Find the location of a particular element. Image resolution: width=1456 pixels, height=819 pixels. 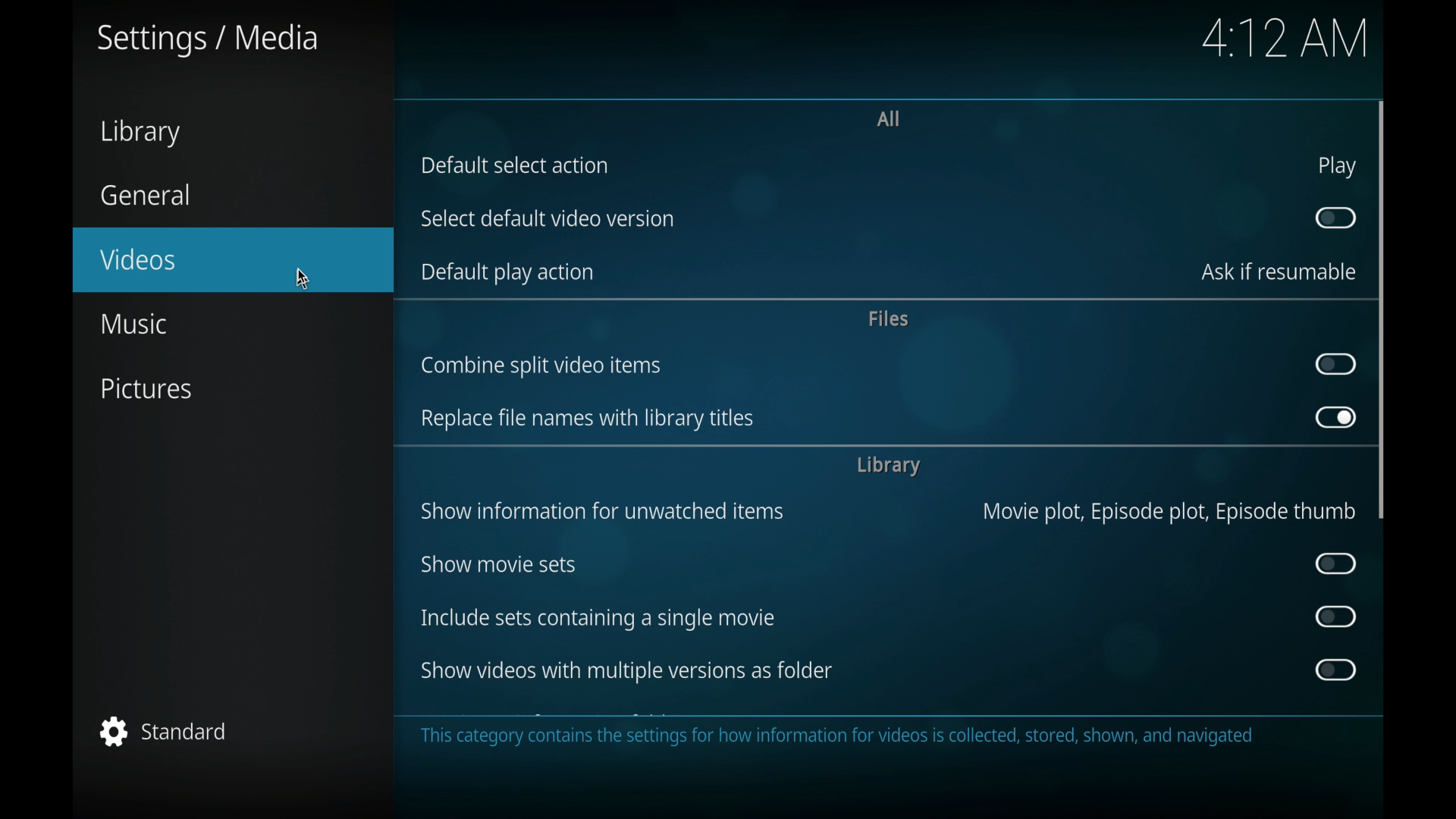

default play action is located at coordinates (504, 273).